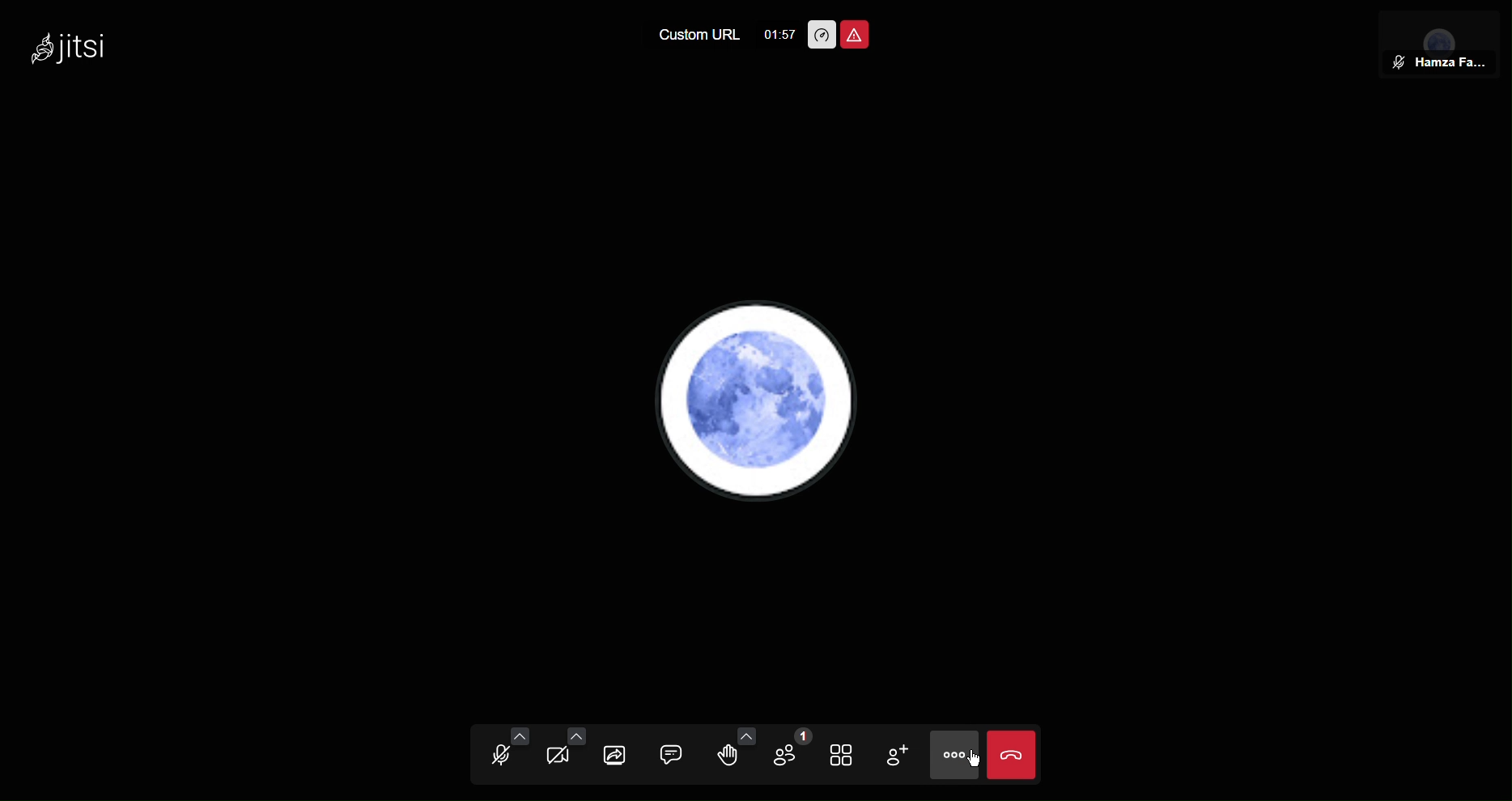 The image size is (1512, 801). I want to click on Participant View, so click(1441, 43).